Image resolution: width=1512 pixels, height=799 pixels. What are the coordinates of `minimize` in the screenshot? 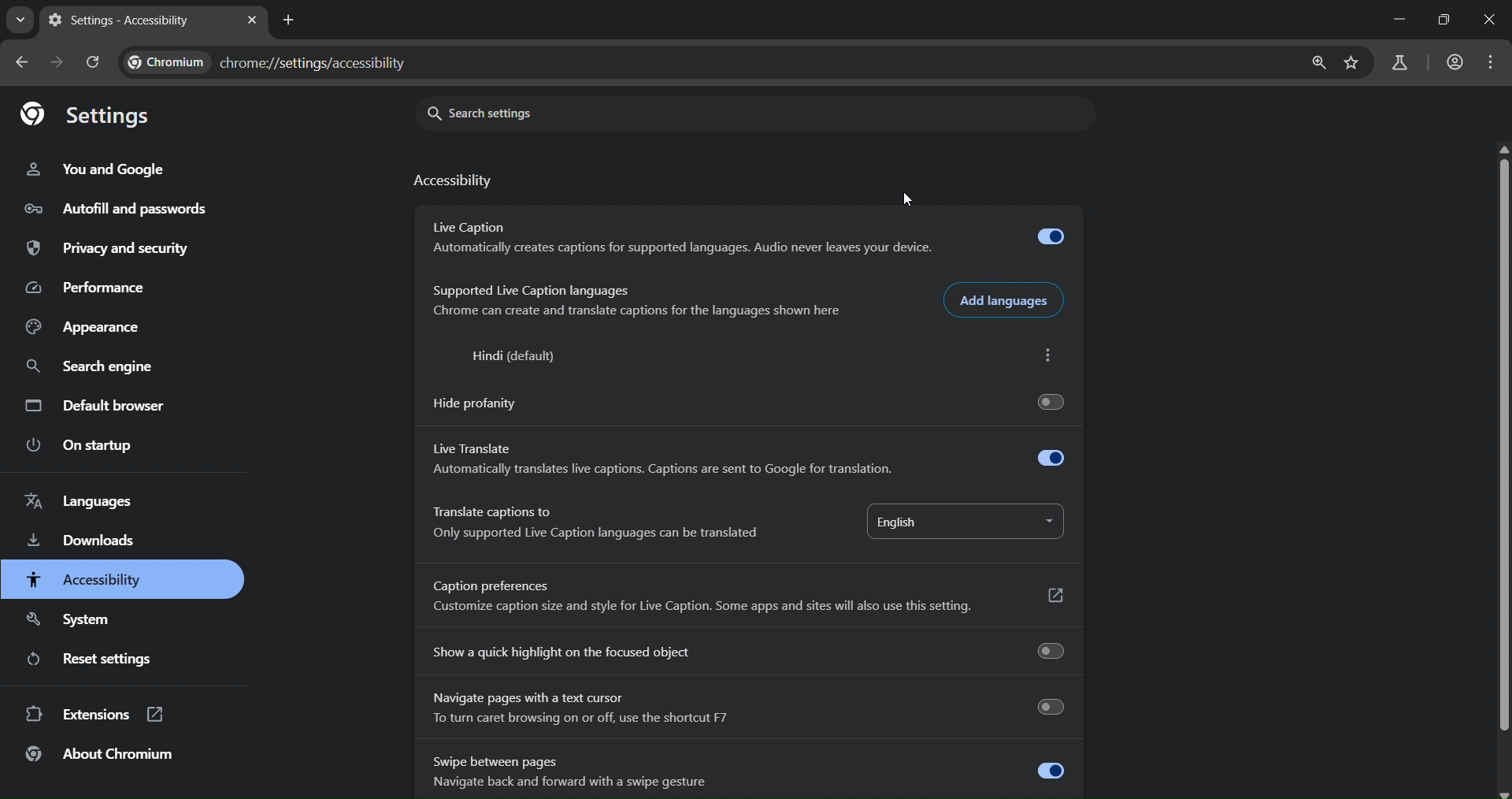 It's located at (1395, 20).